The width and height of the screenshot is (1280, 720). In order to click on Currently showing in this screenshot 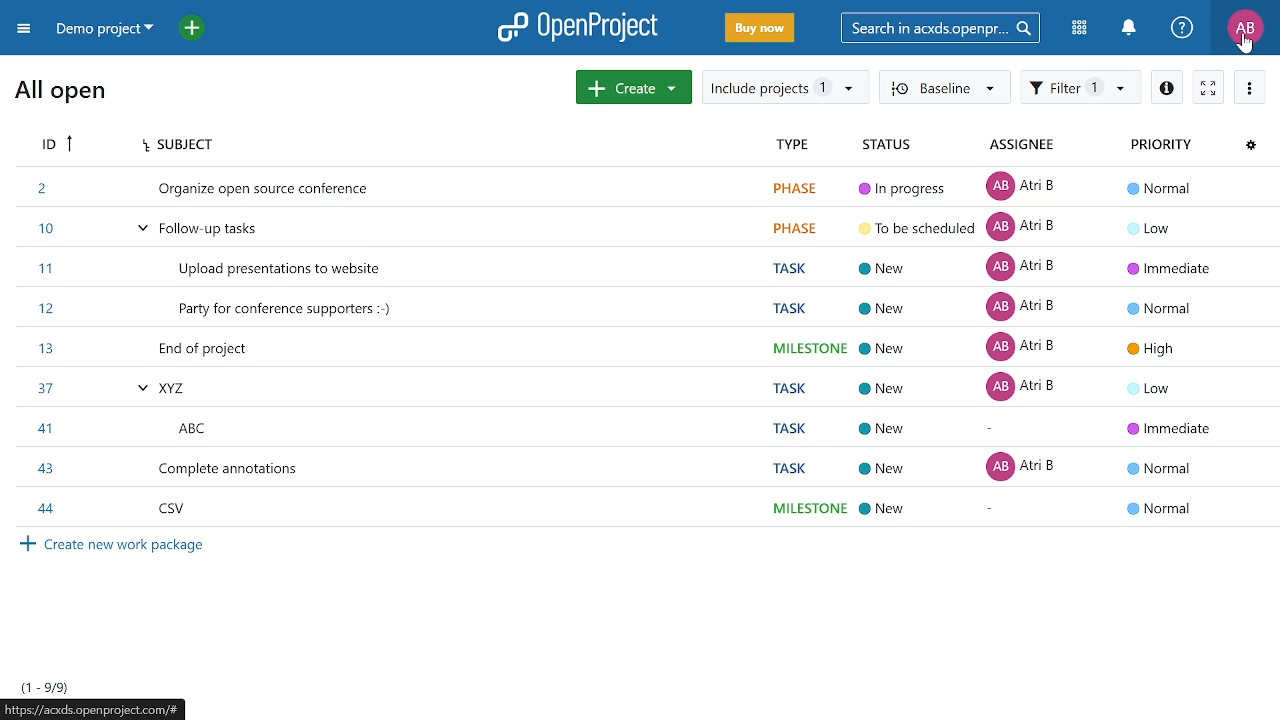, I will do `click(43, 686)`.